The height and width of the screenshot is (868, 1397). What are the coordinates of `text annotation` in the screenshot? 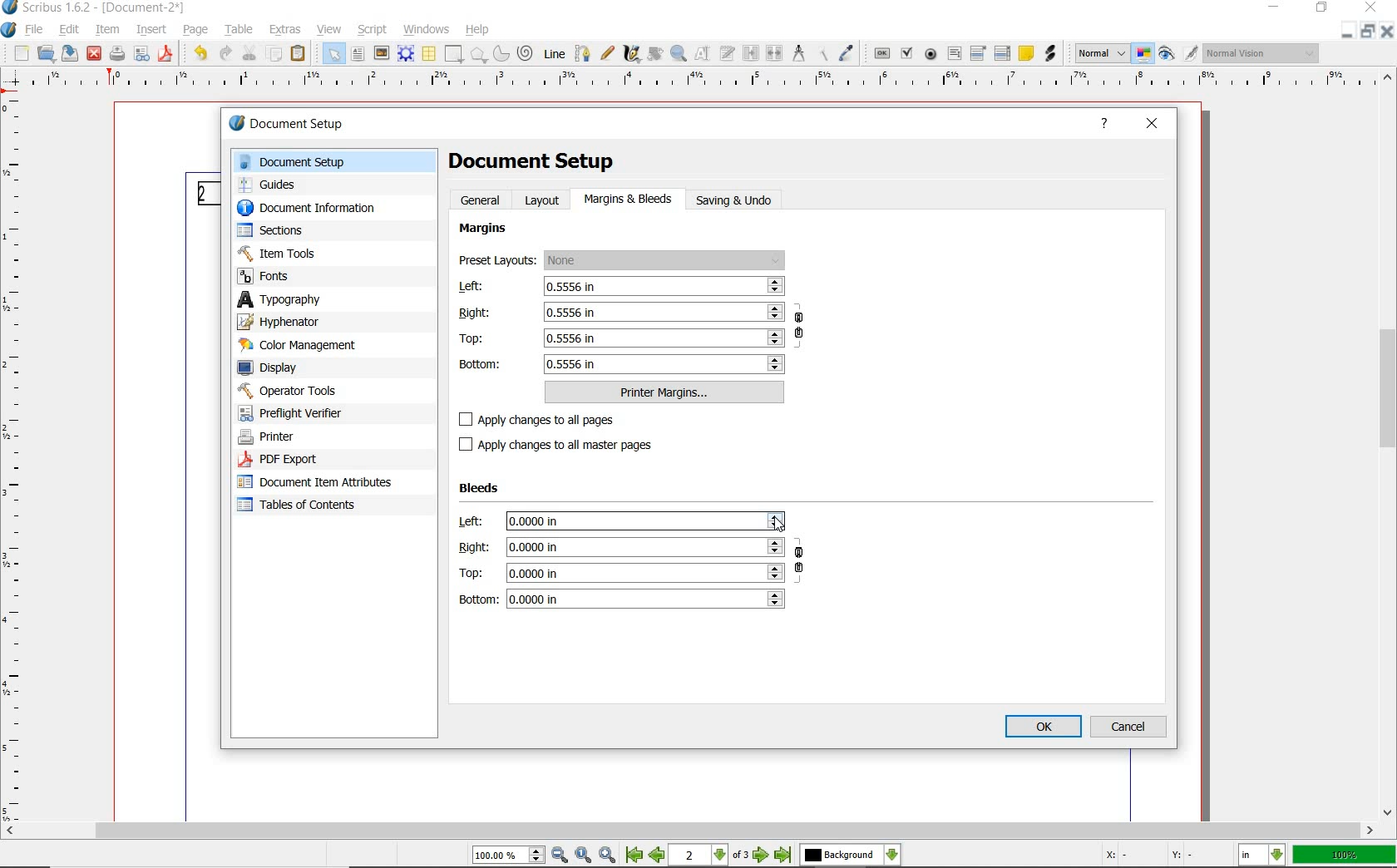 It's located at (1026, 54).